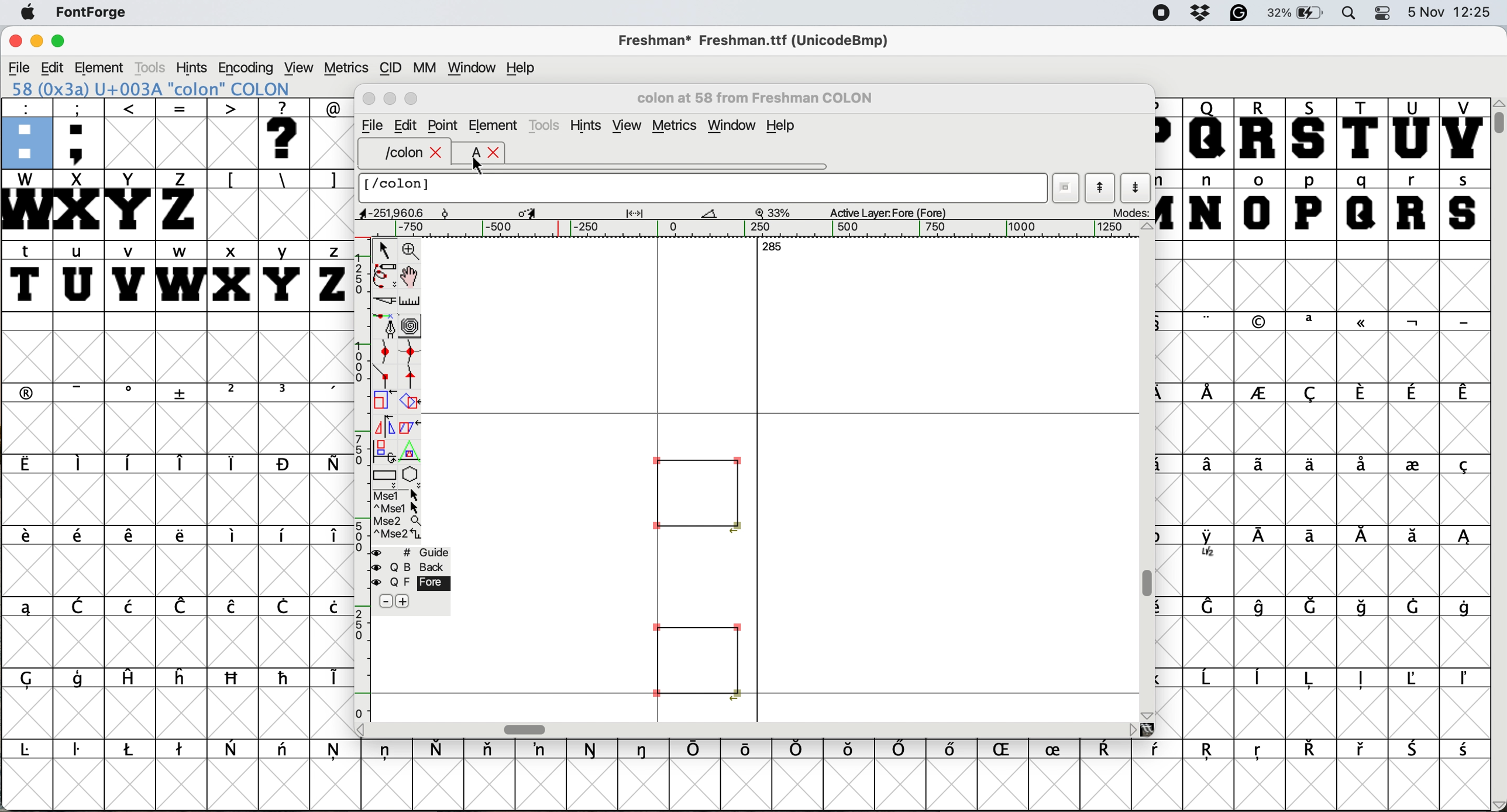 This screenshot has width=1507, height=812. Describe the element at coordinates (81, 606) in the screenshot. I see `symbol` at that location.